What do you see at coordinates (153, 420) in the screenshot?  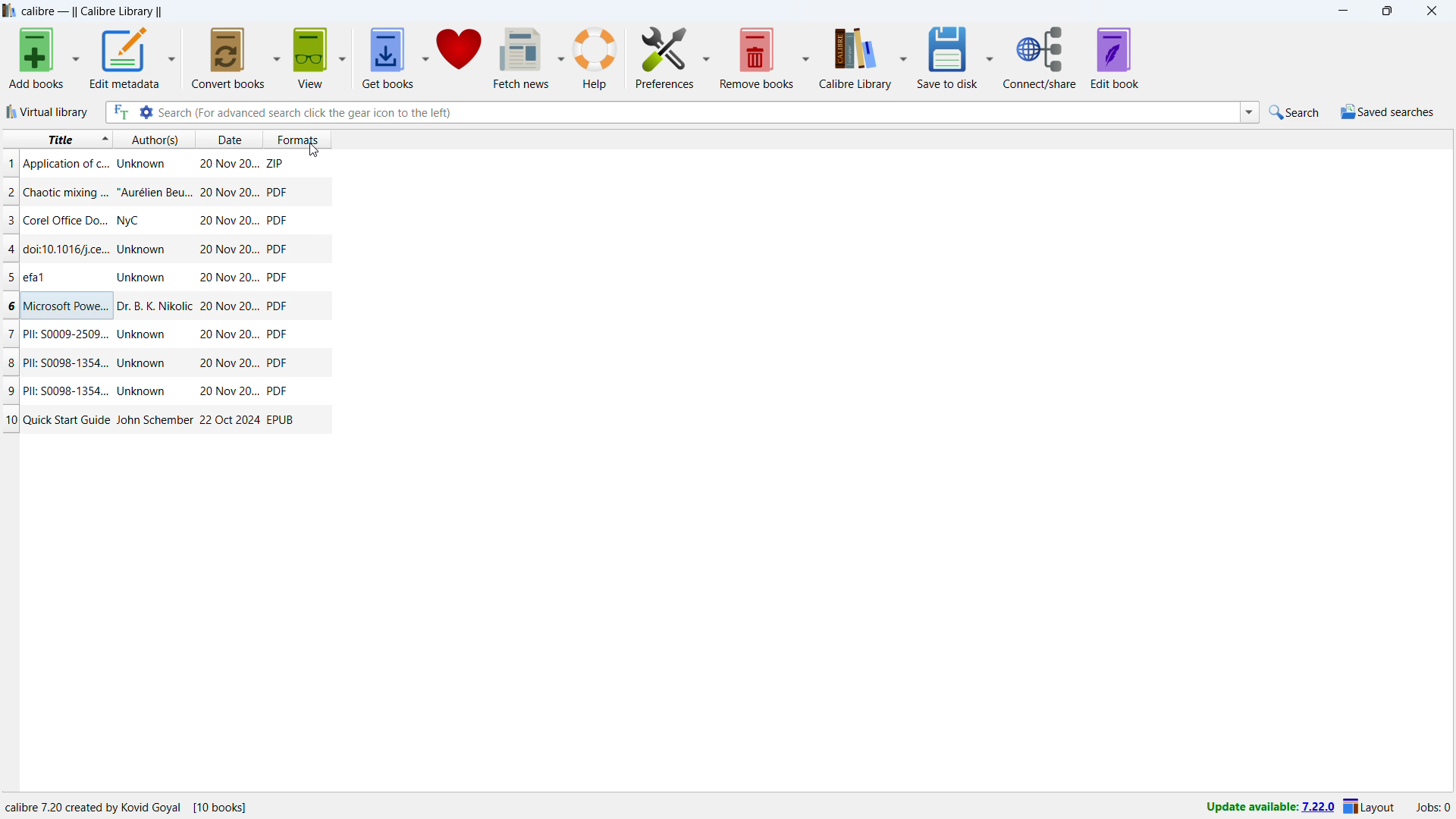 I see `author` at bounding box center [153, 420].